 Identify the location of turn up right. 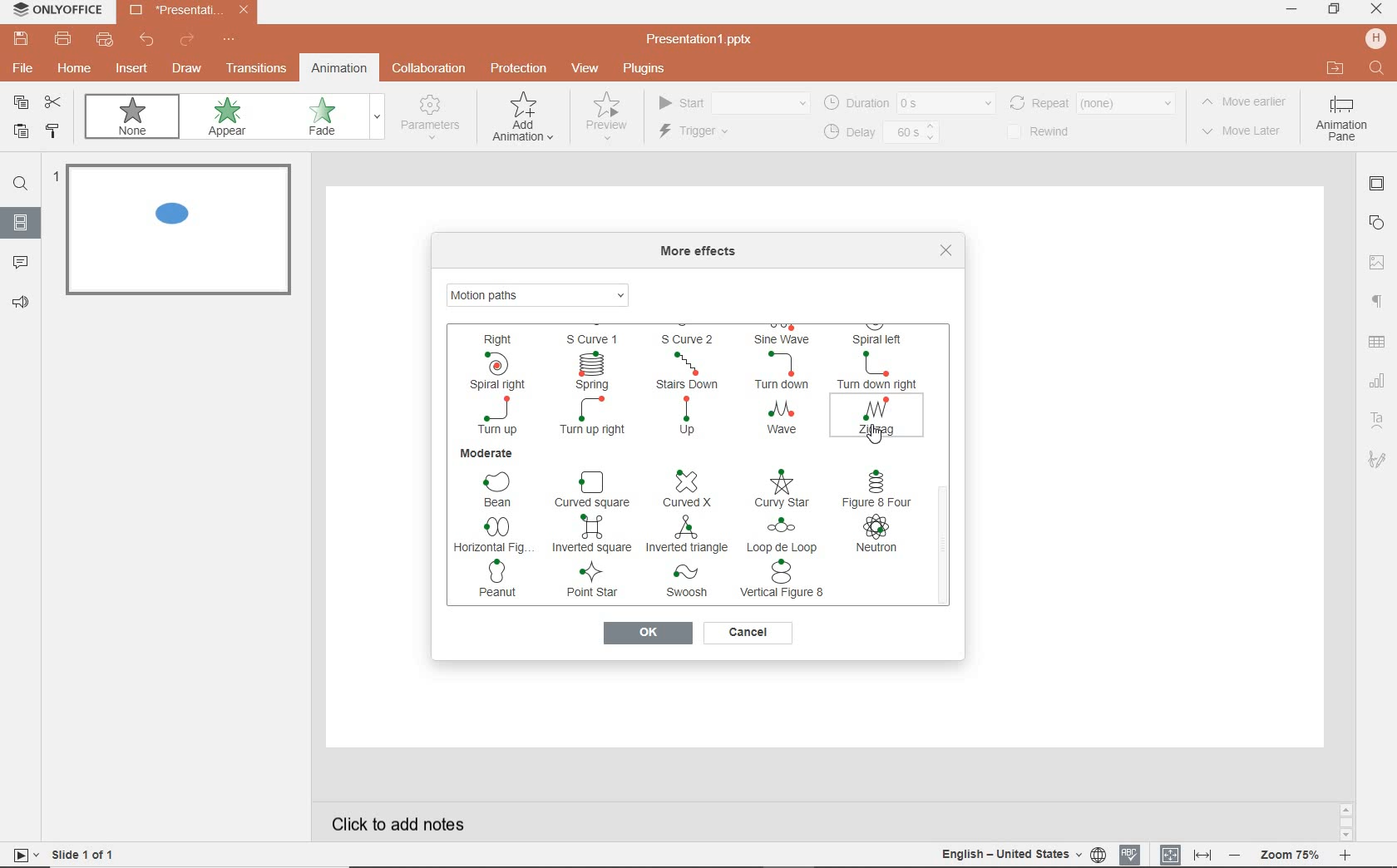
(594, 418).